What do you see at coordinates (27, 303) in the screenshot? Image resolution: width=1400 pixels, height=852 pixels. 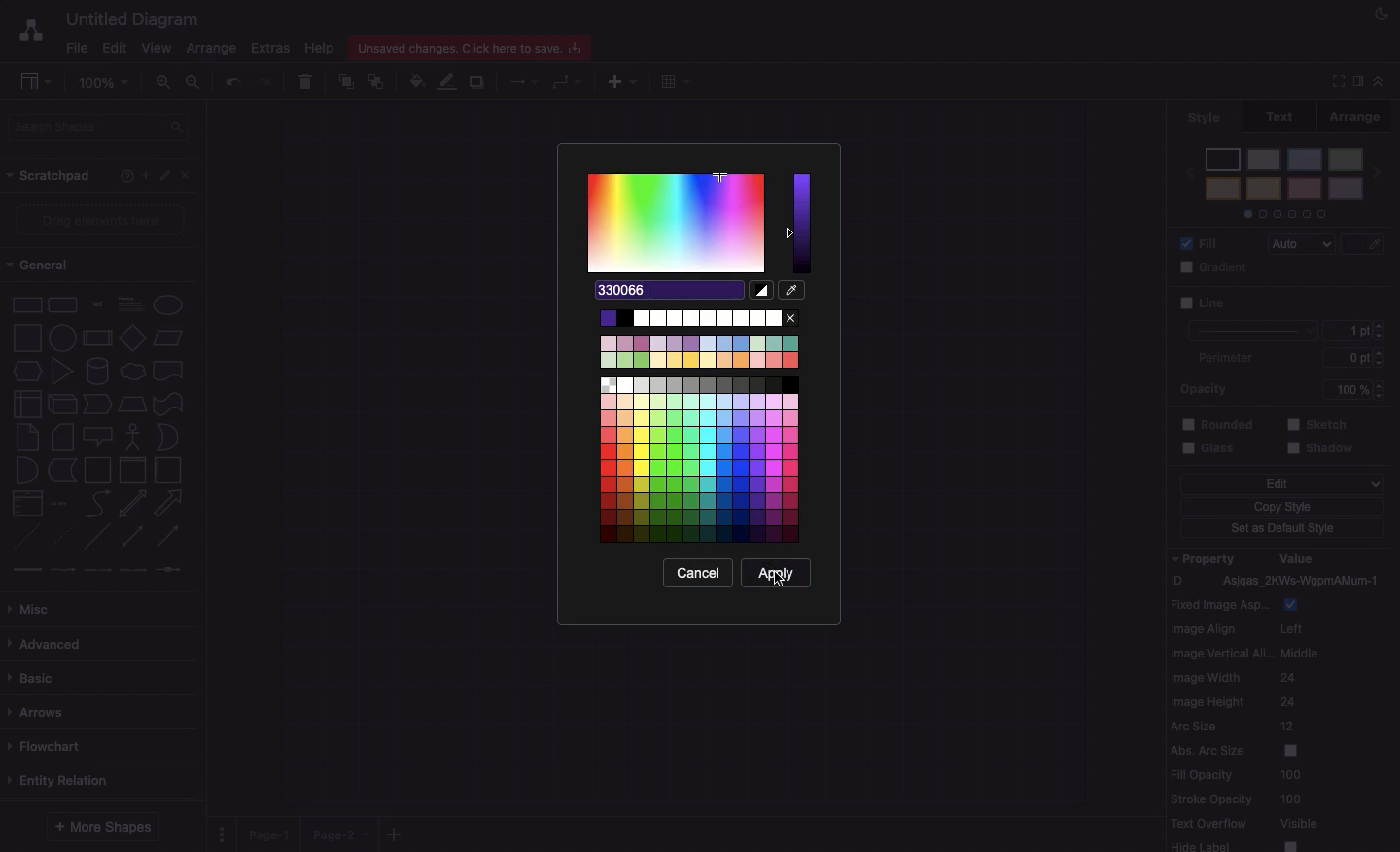 I see `rectangle` at bounding box center [27, 303].